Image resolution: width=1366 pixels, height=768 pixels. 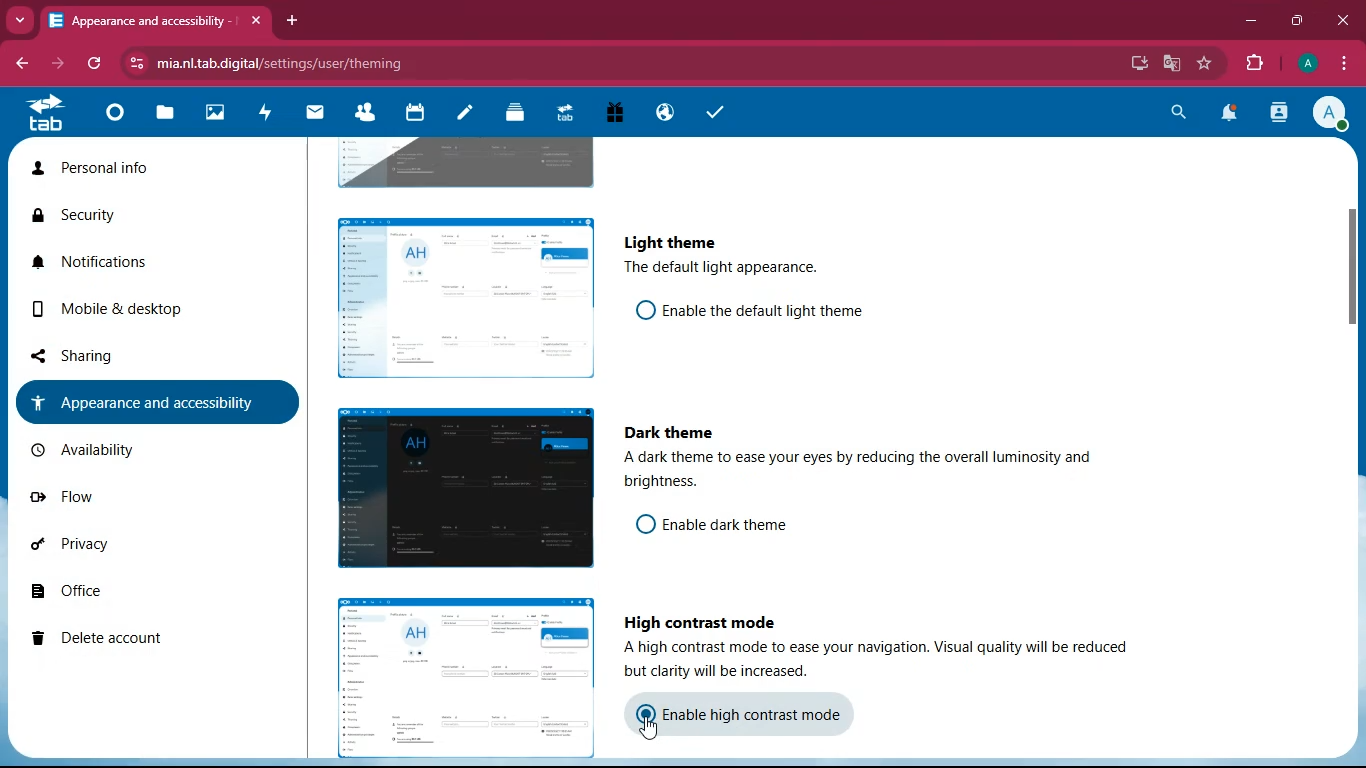 I want to click on activity, so click(x=264, y=115).